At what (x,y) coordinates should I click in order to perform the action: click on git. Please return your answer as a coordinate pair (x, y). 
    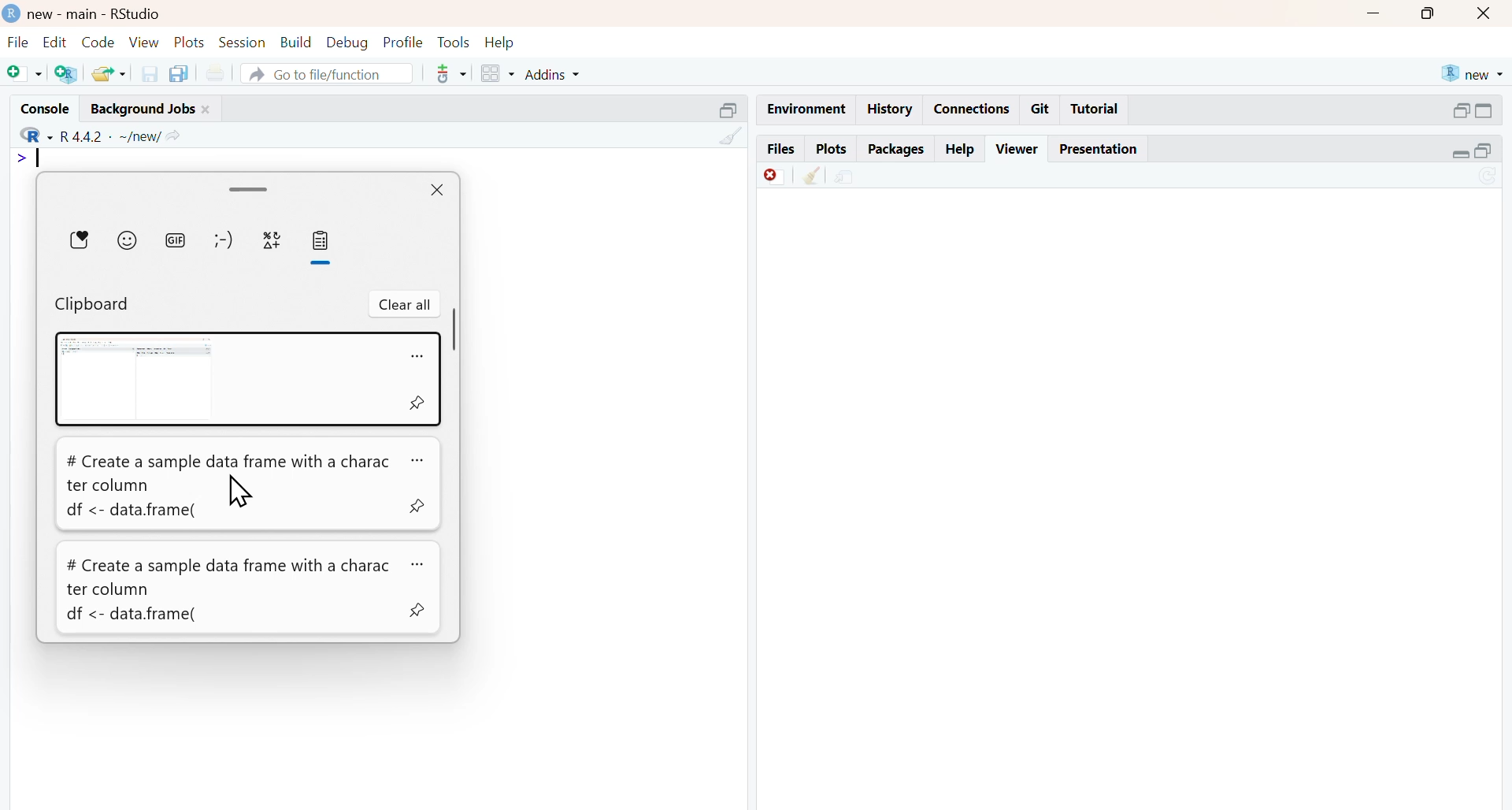
    Looking at the image, I should click on (1039, 109).